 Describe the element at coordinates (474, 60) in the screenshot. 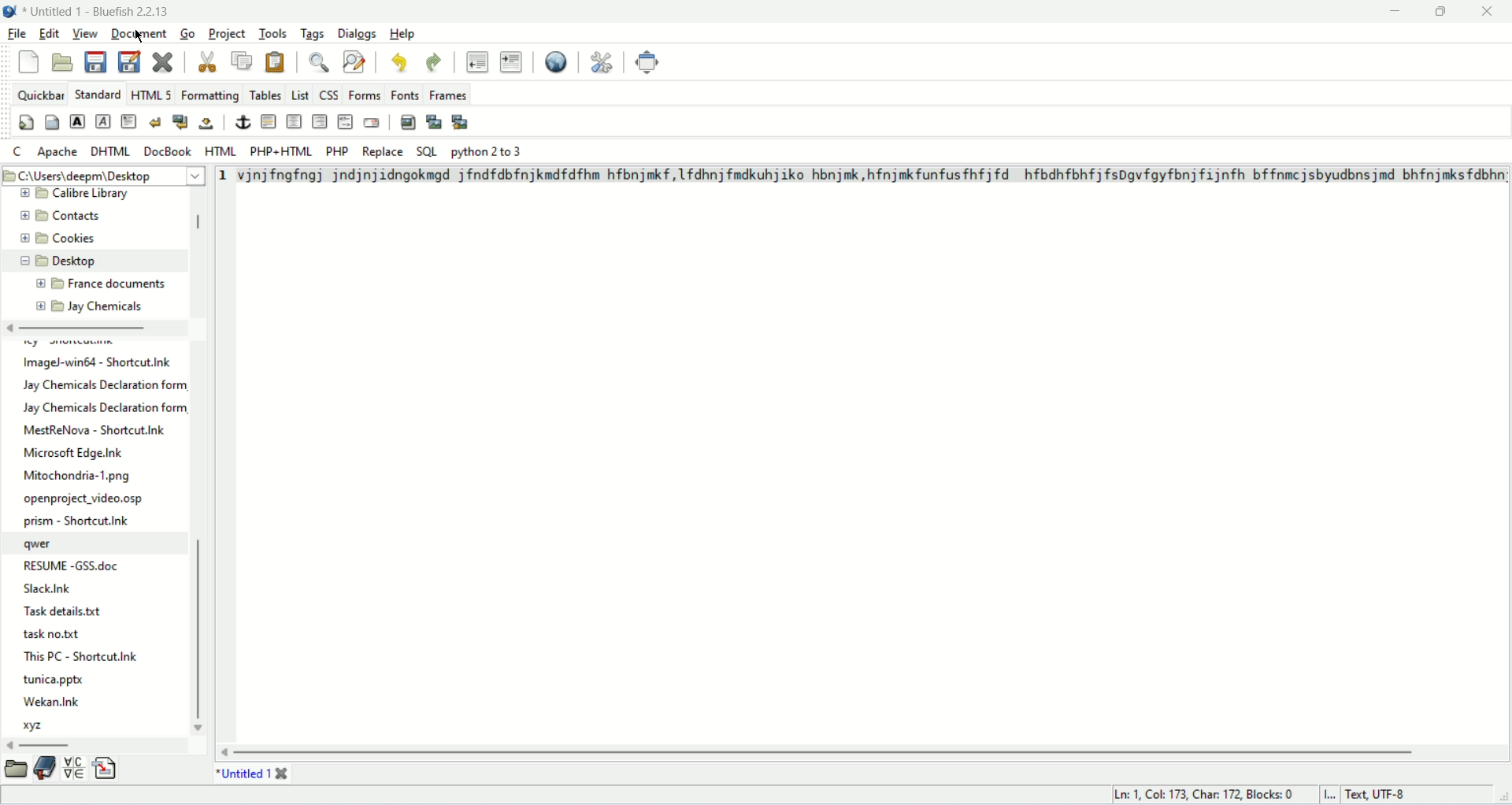

I see `unindent` at that location.